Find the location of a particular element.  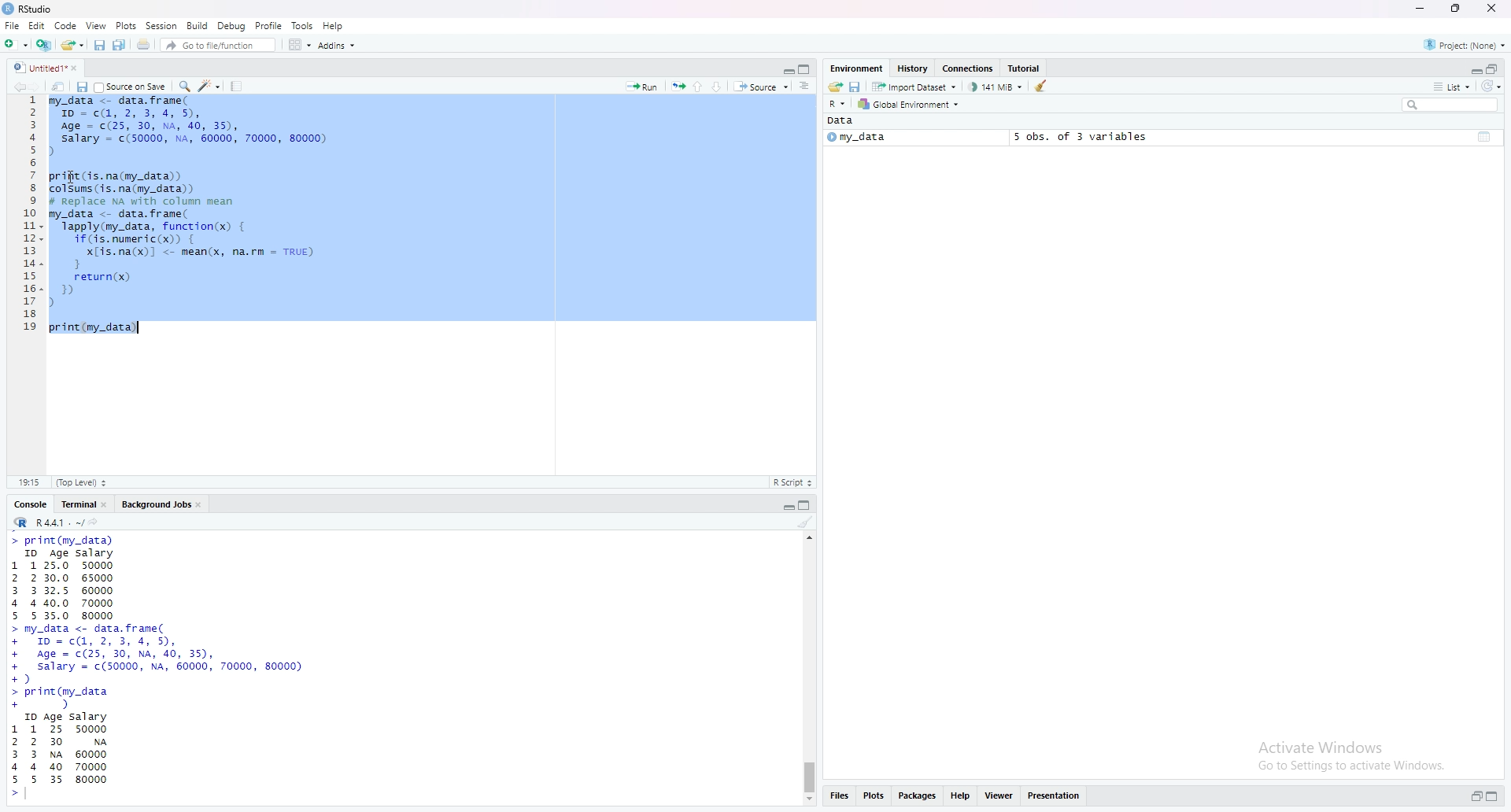

collapse is located at coordinates (808, 506).